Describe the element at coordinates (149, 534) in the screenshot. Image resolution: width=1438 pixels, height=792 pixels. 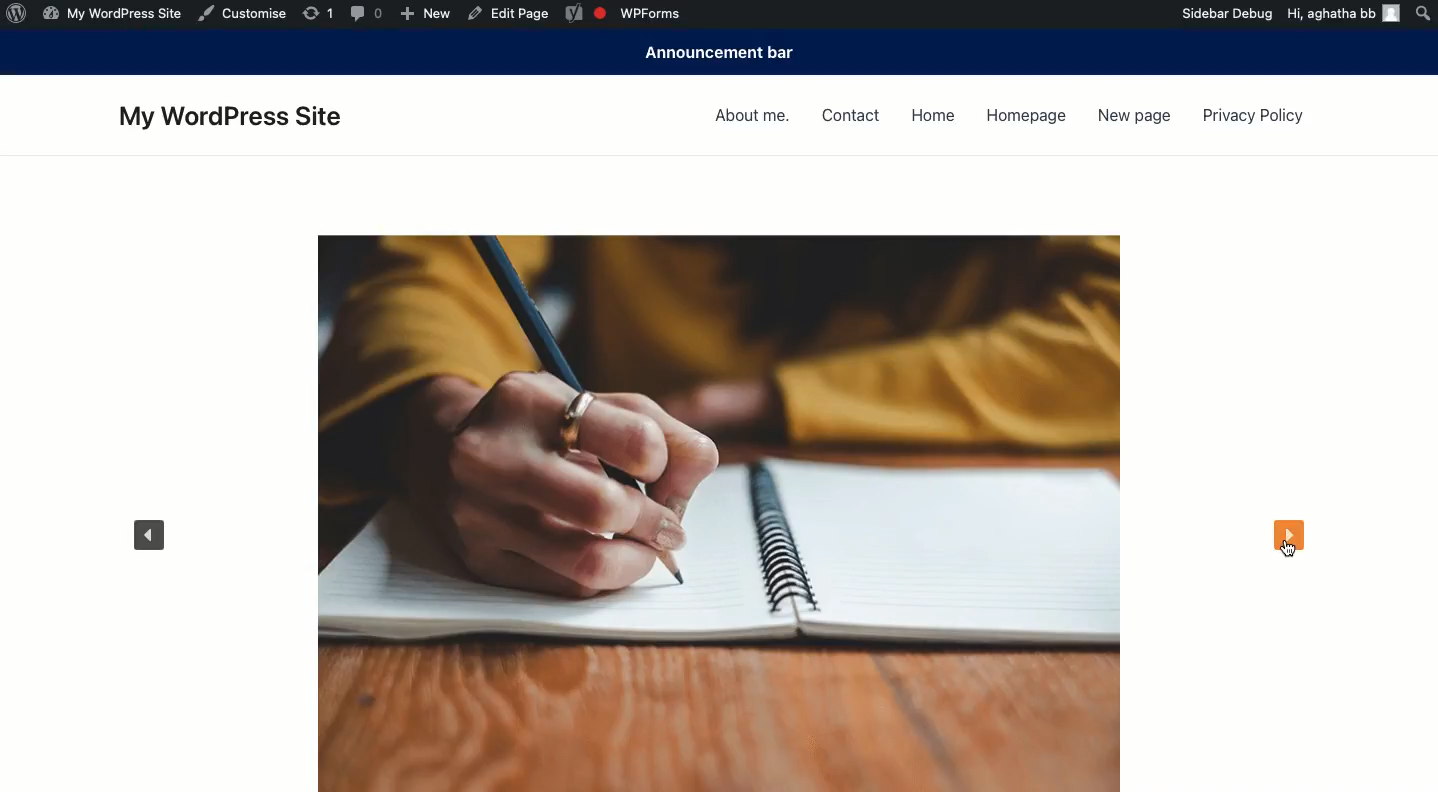
I see `Previous` at that location.